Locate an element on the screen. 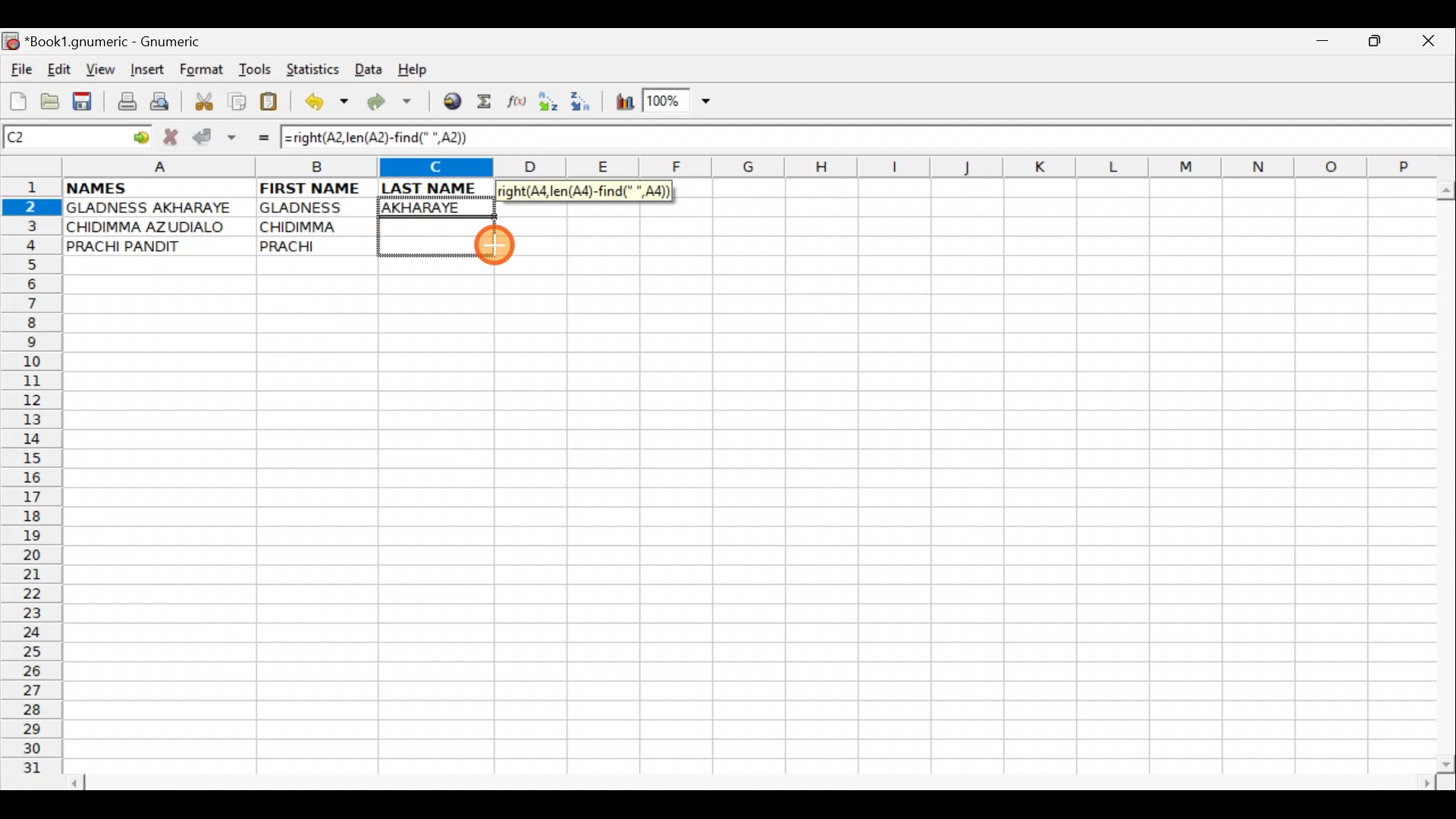 The width and height of the screenshot is (1456, 819). Maximize is located at coordinates (1377, 44).